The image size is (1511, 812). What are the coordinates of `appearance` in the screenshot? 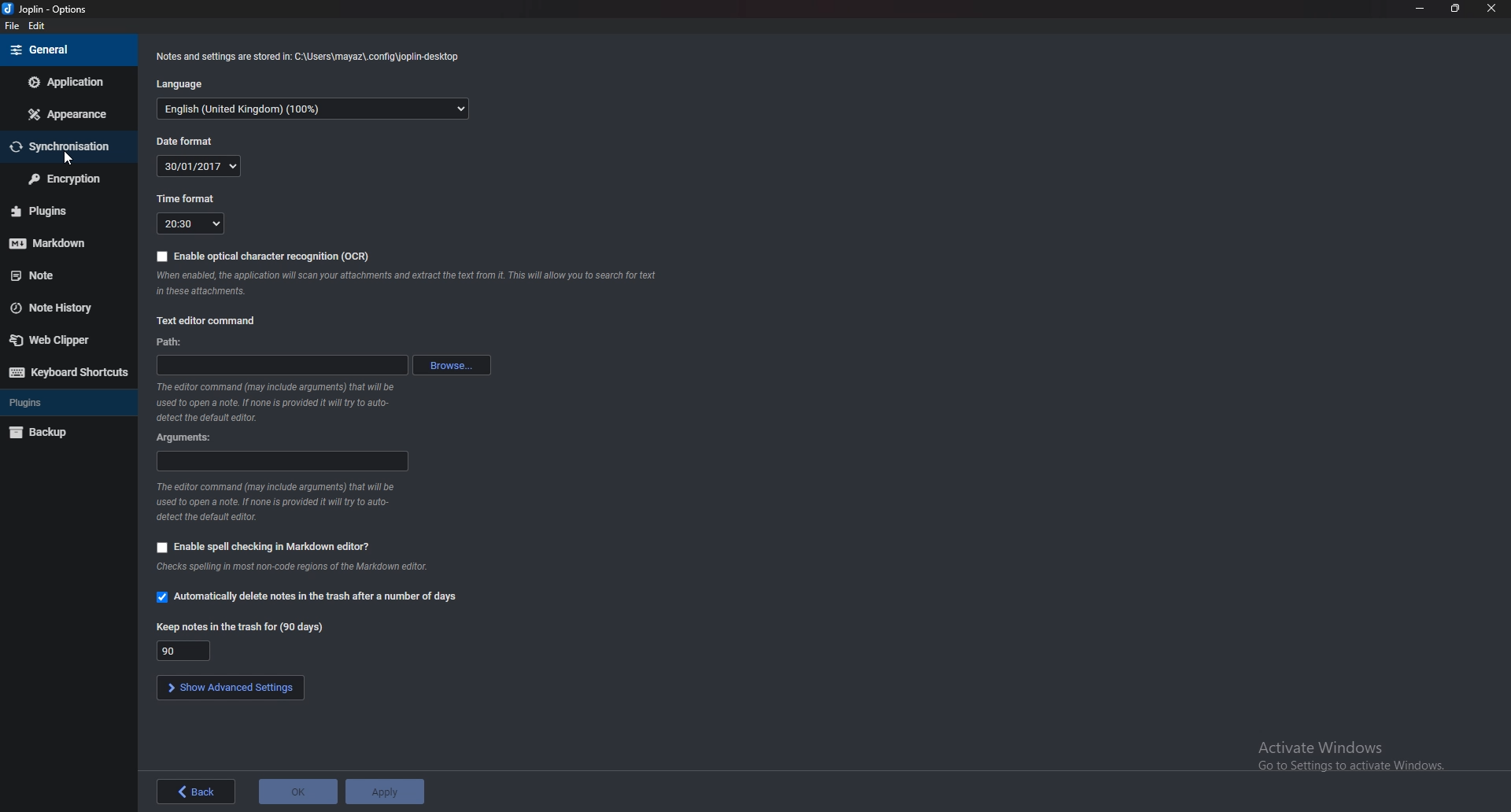 It's located at (66, 115).